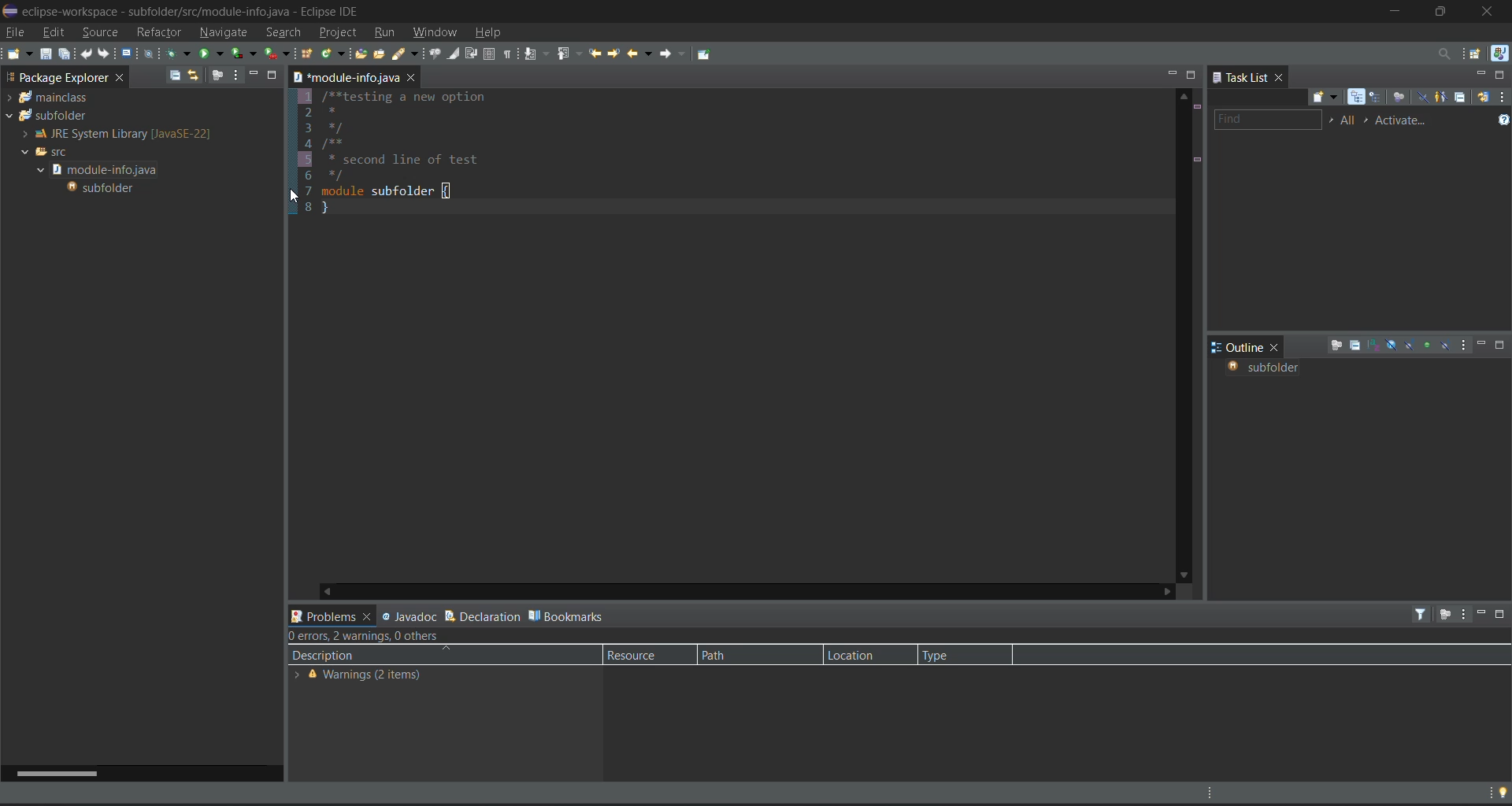 The height and width of the screenshot is (806, 1512). What do you see at coordinates (46, 116) in the screenshot?
I see `subfolder` at bounding box center [46, 116].